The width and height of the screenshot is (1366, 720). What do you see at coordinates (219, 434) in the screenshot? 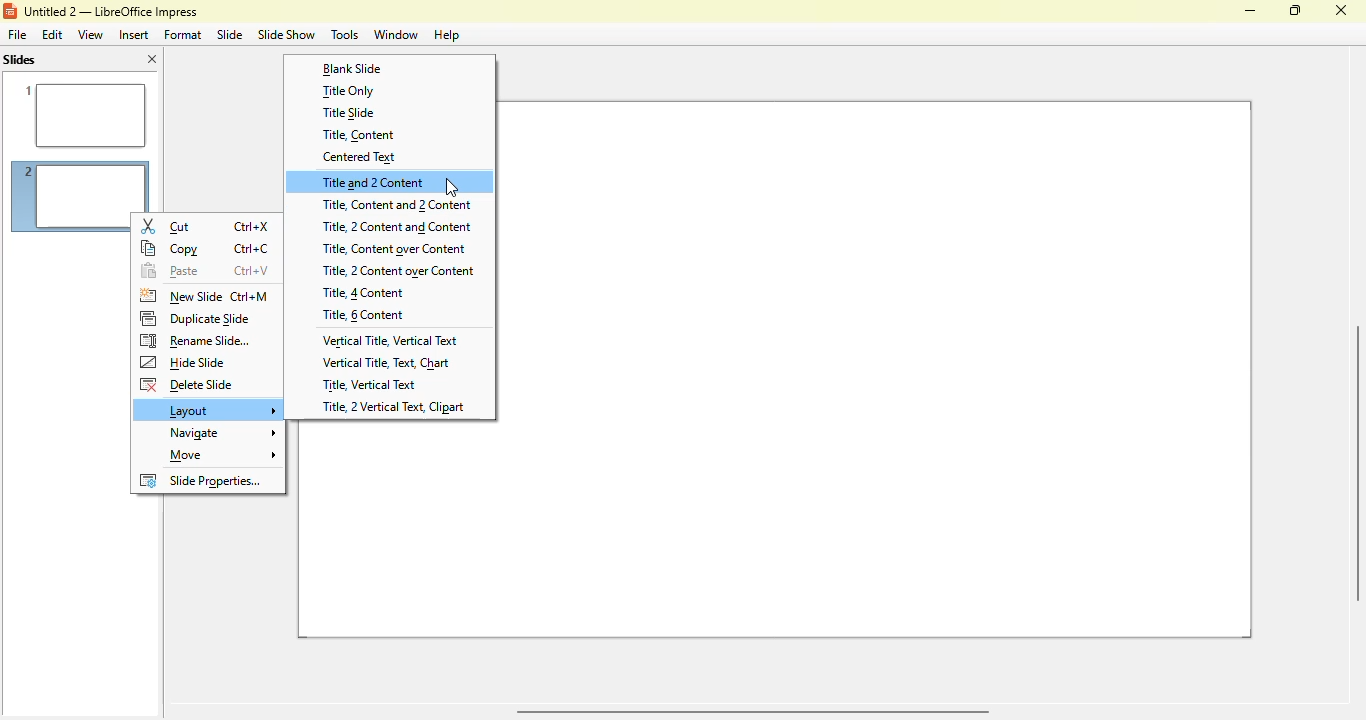
I see `navigate` at bounding box center [219, 434].